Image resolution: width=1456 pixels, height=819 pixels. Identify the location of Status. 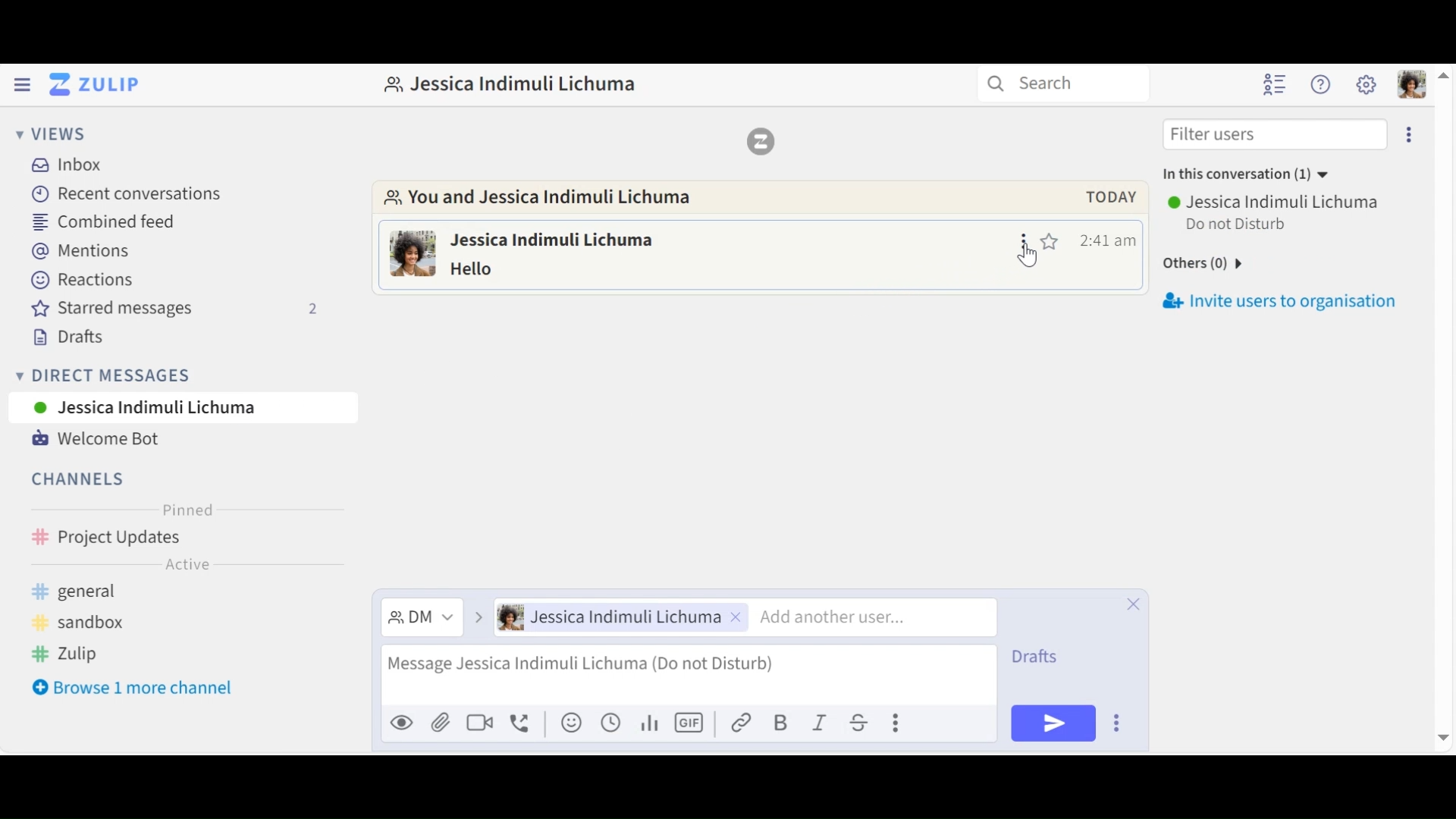
(1239, 225).